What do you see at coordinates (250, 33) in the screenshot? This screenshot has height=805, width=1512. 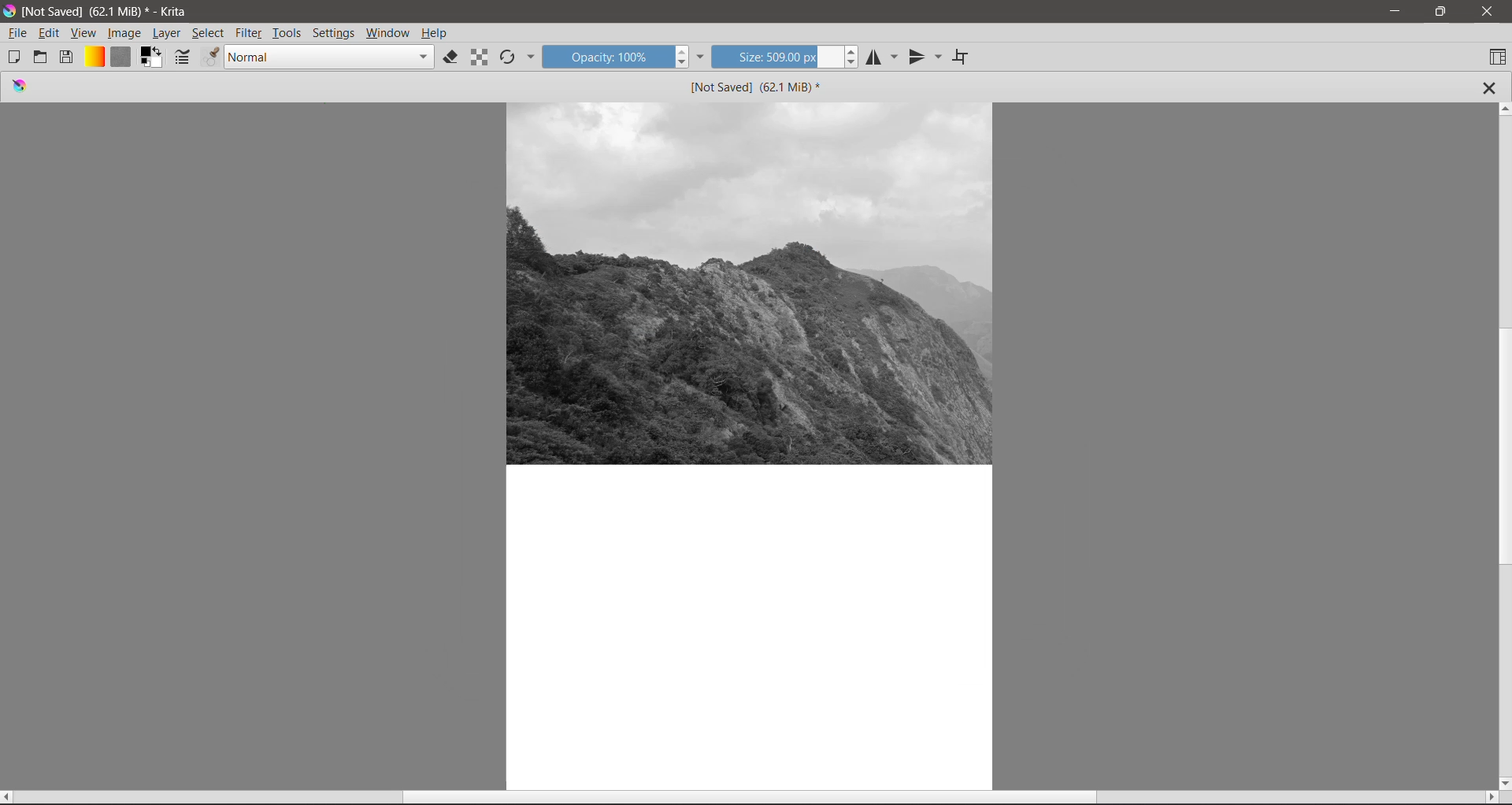 I see `Filter` at bounding box center [250, 33].